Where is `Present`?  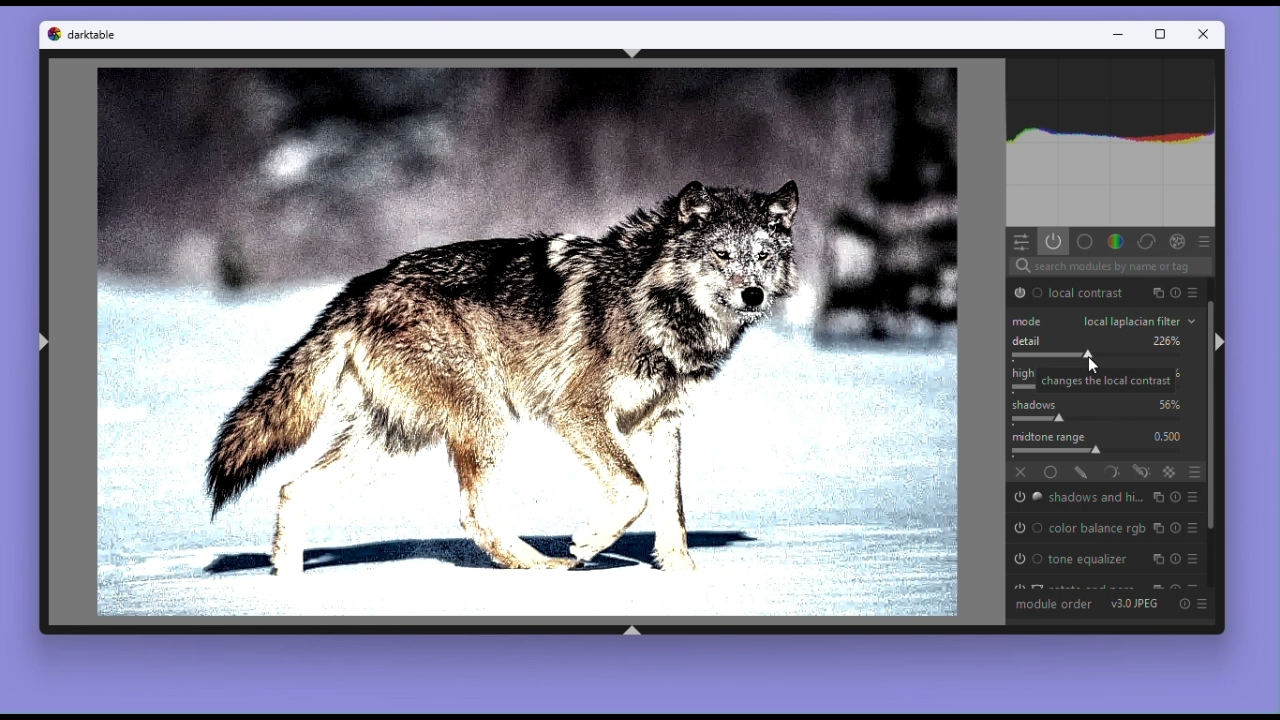 Present is located at coordinates (1198, 560).